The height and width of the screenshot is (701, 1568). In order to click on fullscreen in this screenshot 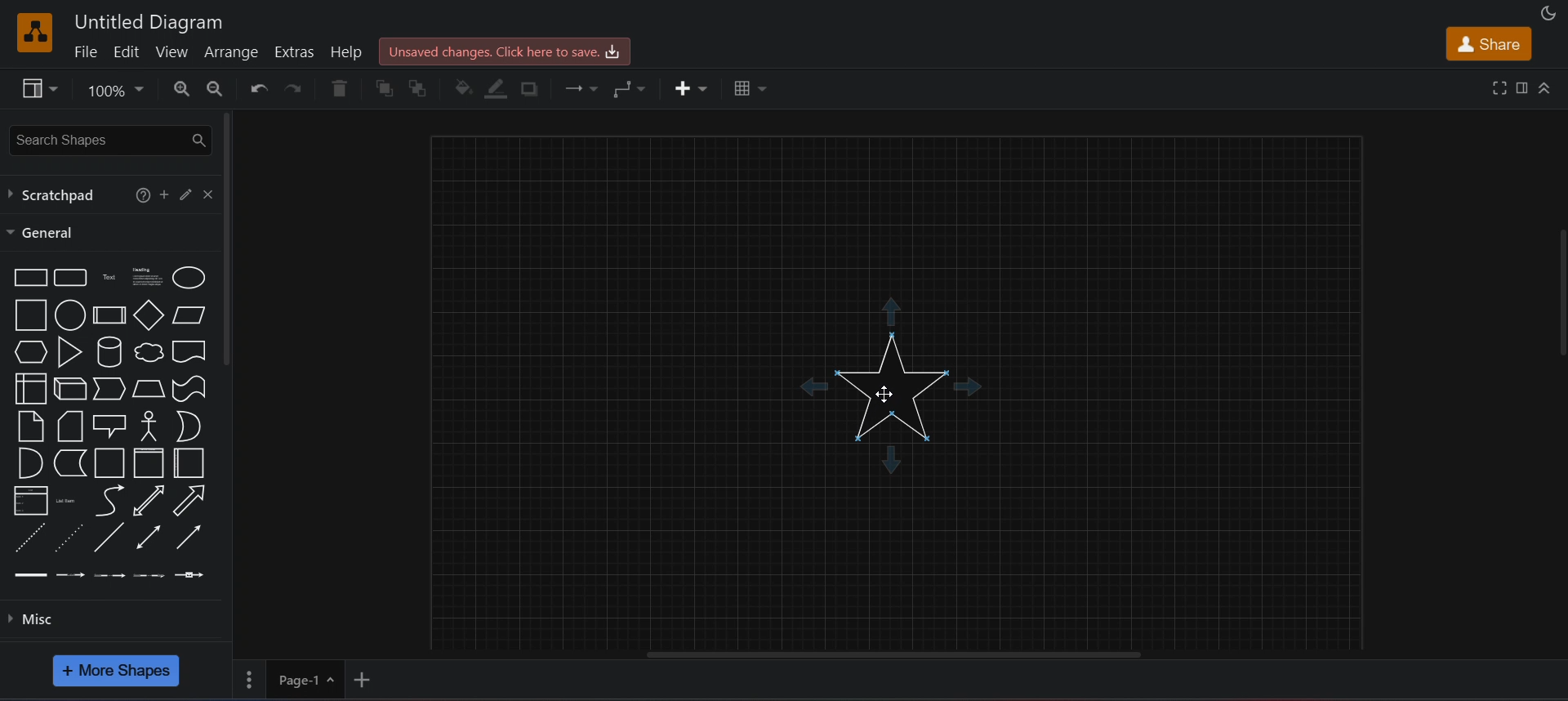, I will do `click(1497, 87)`.